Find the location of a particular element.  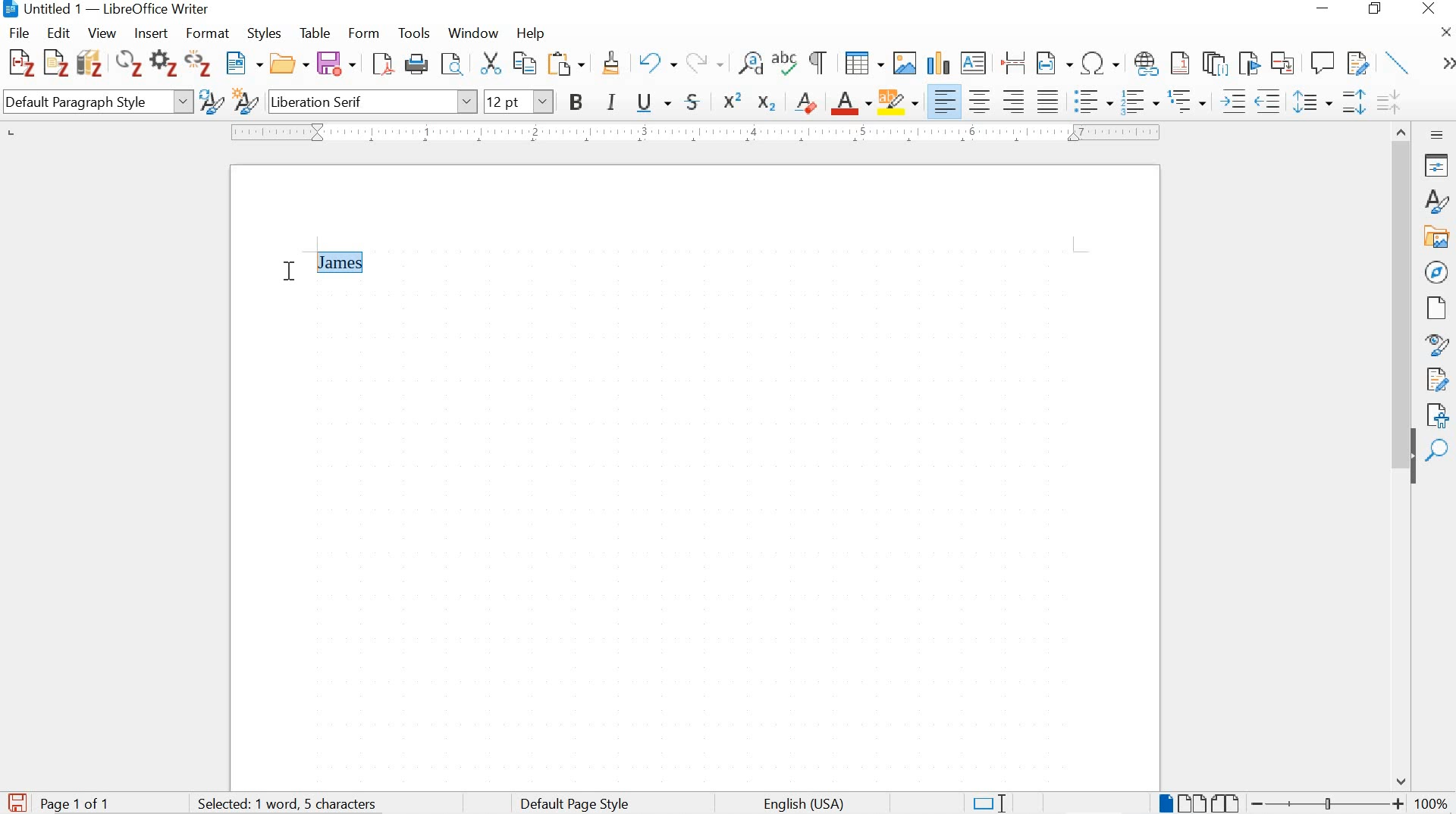

clone formatting is located at coordinates (613, 65).